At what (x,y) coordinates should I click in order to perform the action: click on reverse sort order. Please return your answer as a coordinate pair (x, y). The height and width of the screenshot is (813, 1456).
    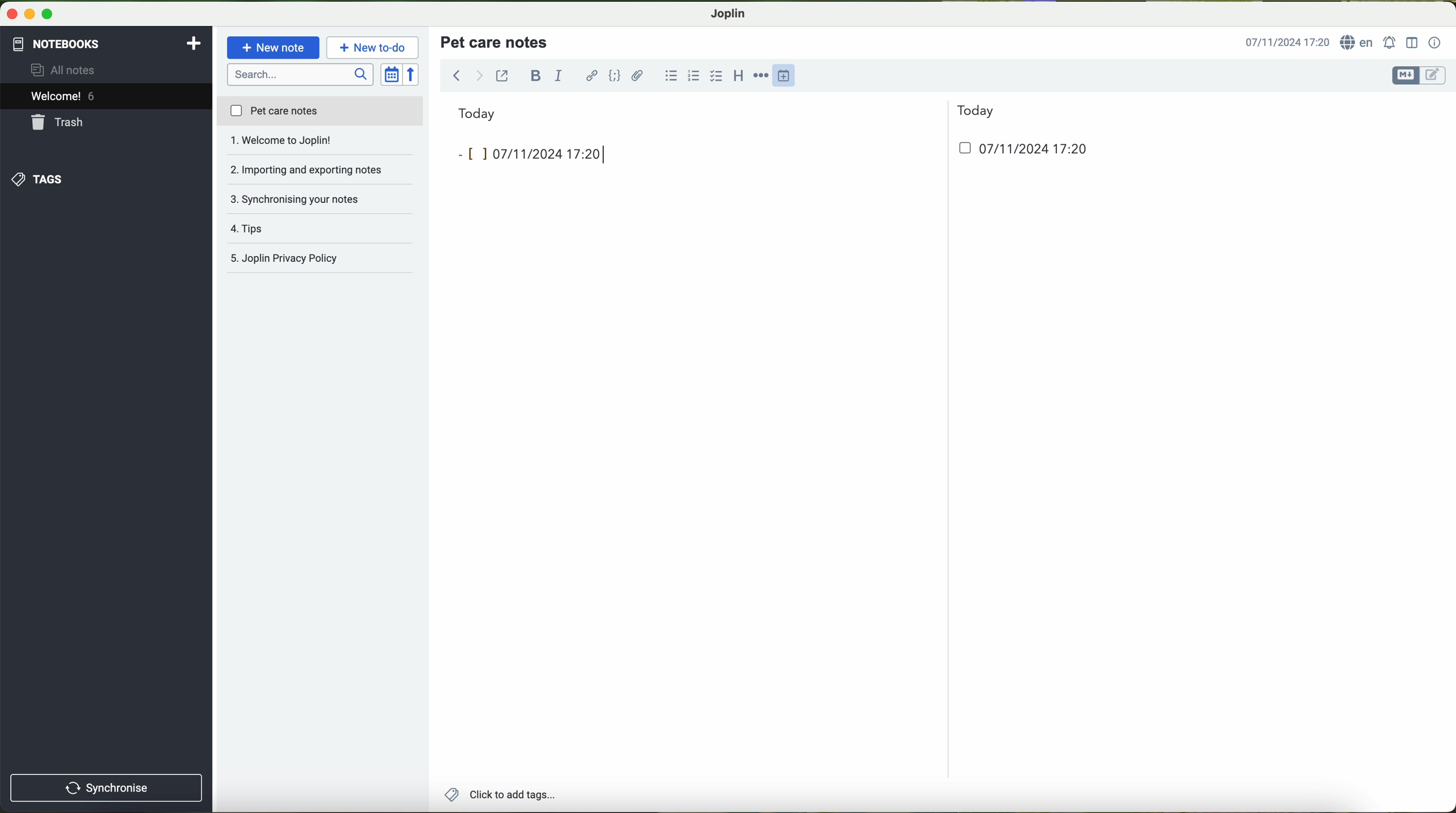
    Looking at the image, I should click on (414, 75).